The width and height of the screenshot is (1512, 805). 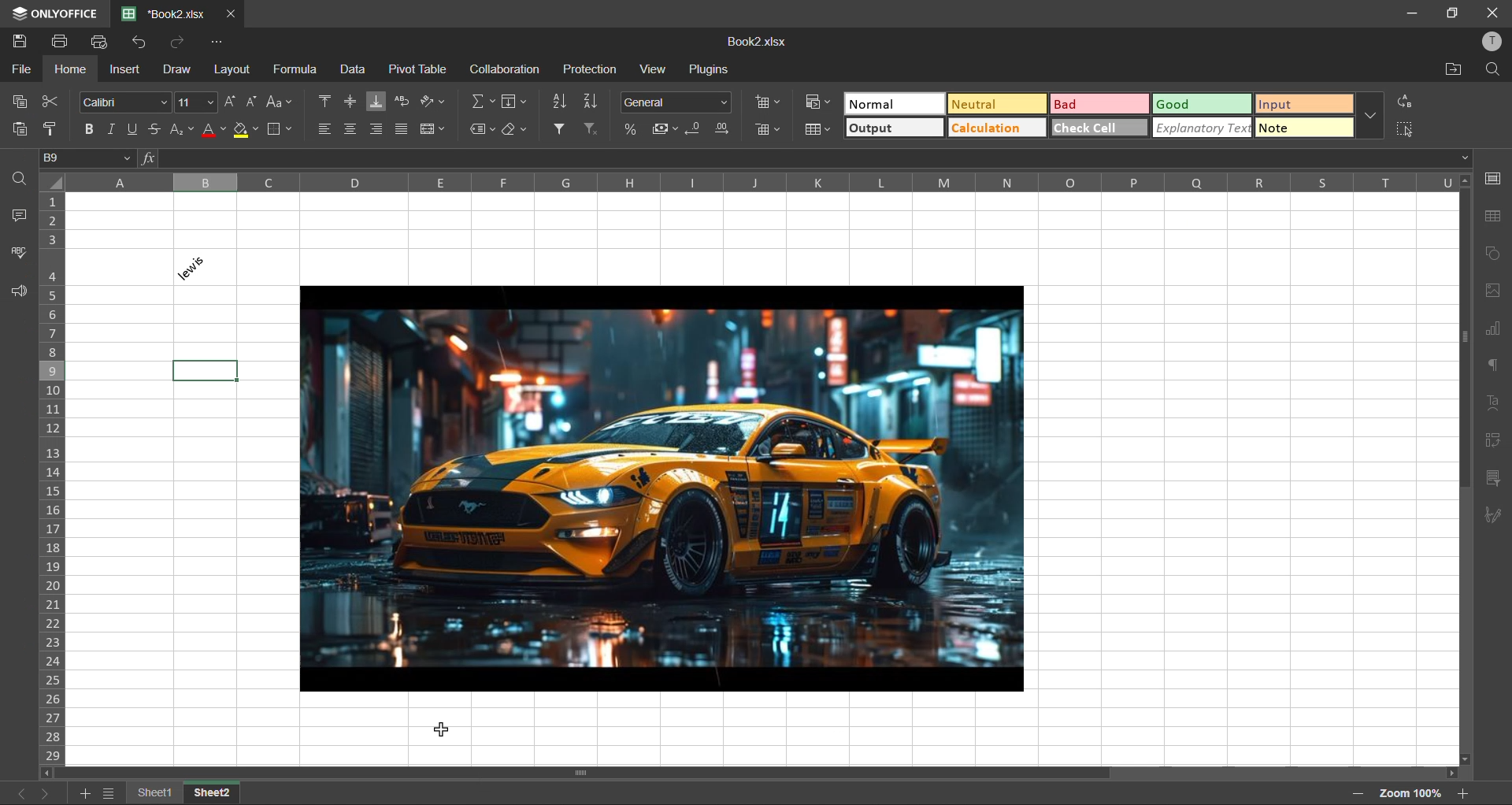 I want to click on italic, so click(x=109, y=129).